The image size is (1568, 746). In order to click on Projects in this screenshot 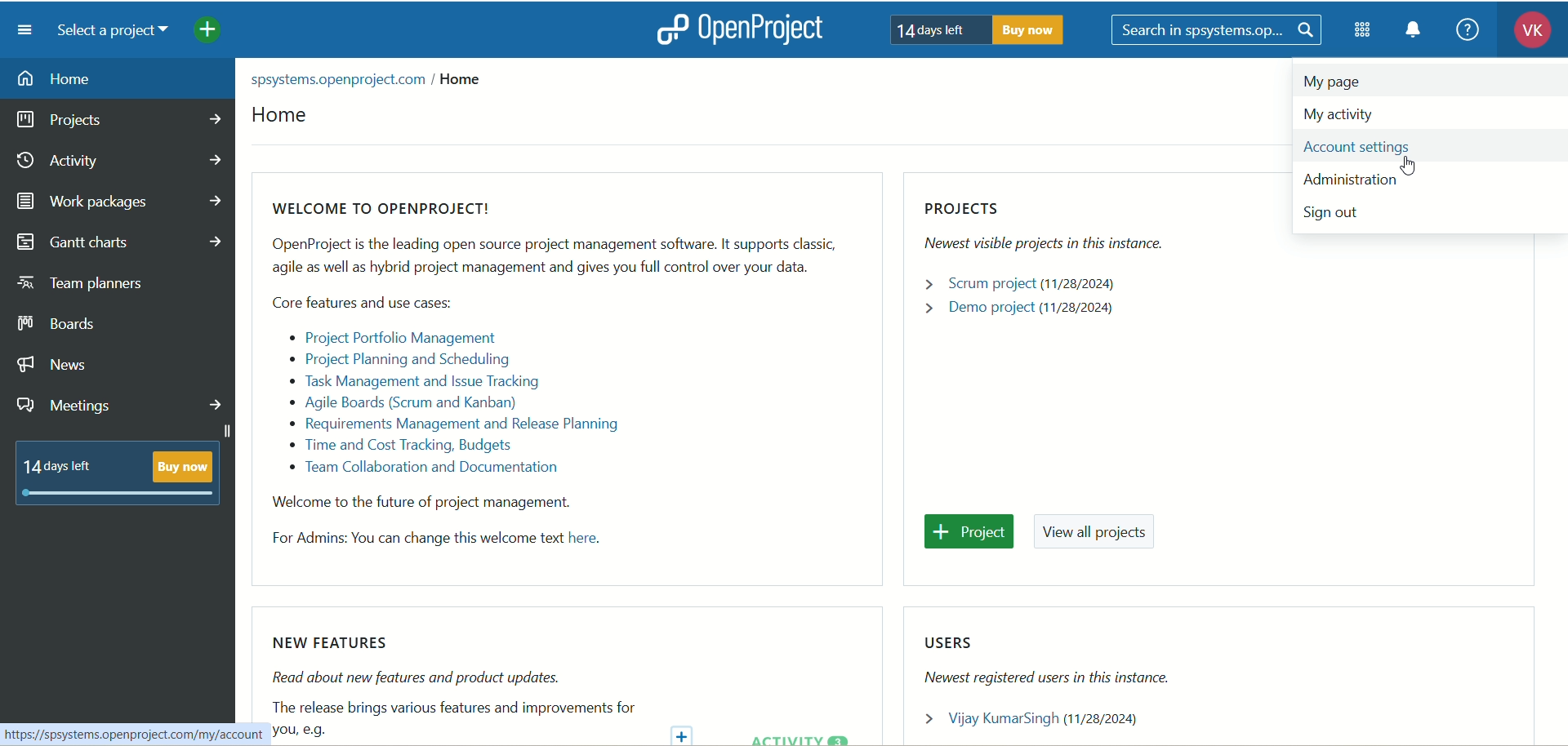, I will do `click(1060, 228)`.